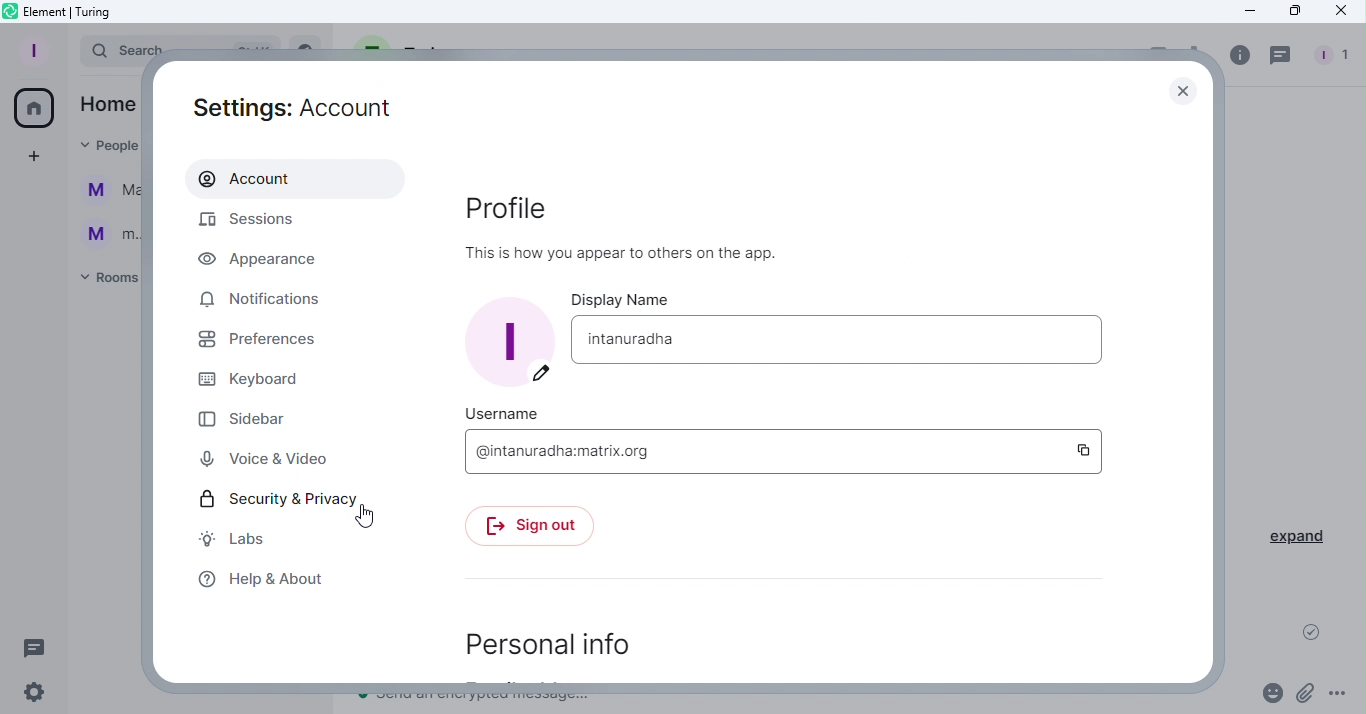 This screenshot has width=1366, height=714. I want to click on info, so click(1235, 55).